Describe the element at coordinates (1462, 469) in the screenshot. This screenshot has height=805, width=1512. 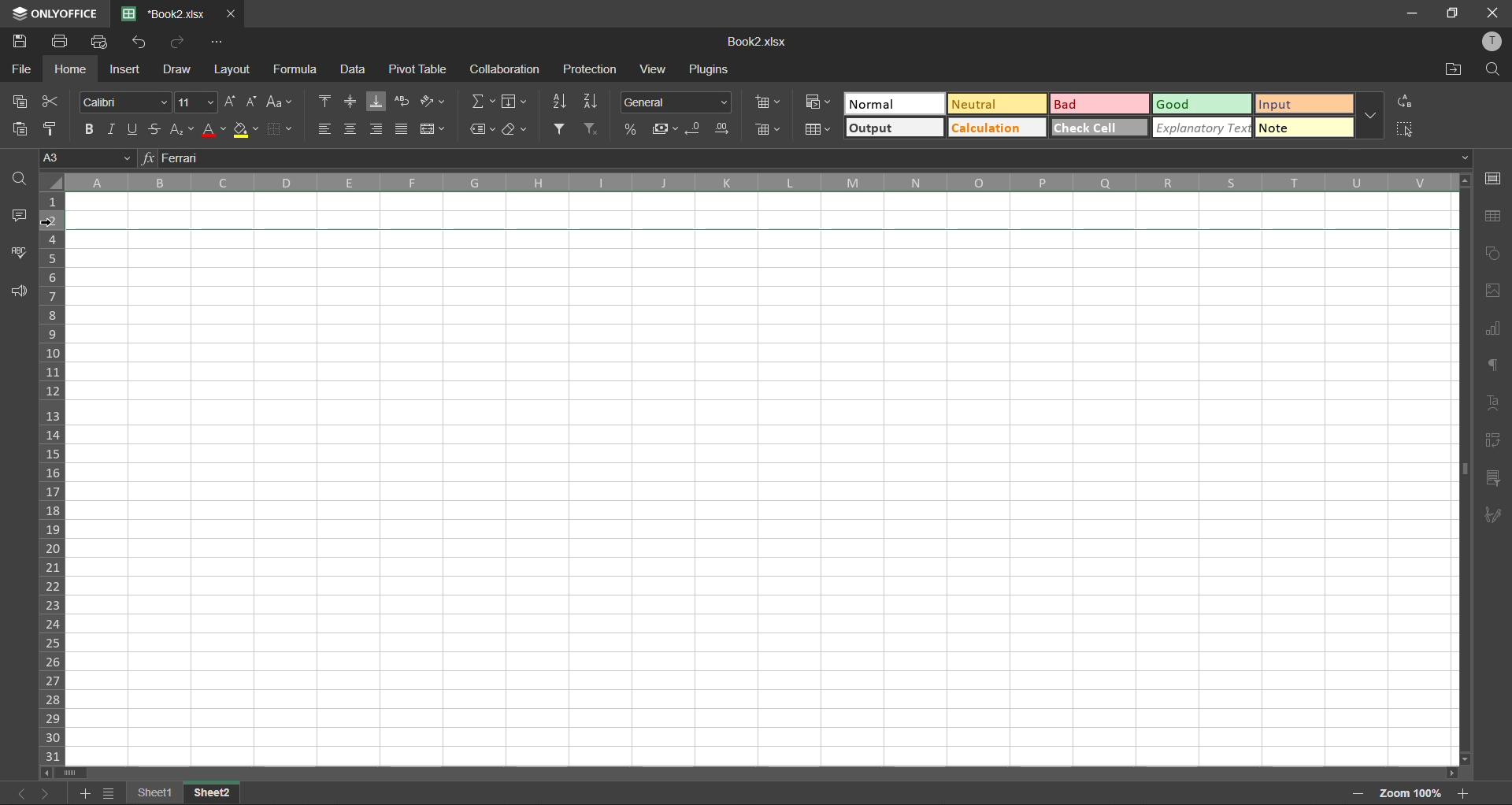
I see `vertical scroll barr` at that location.